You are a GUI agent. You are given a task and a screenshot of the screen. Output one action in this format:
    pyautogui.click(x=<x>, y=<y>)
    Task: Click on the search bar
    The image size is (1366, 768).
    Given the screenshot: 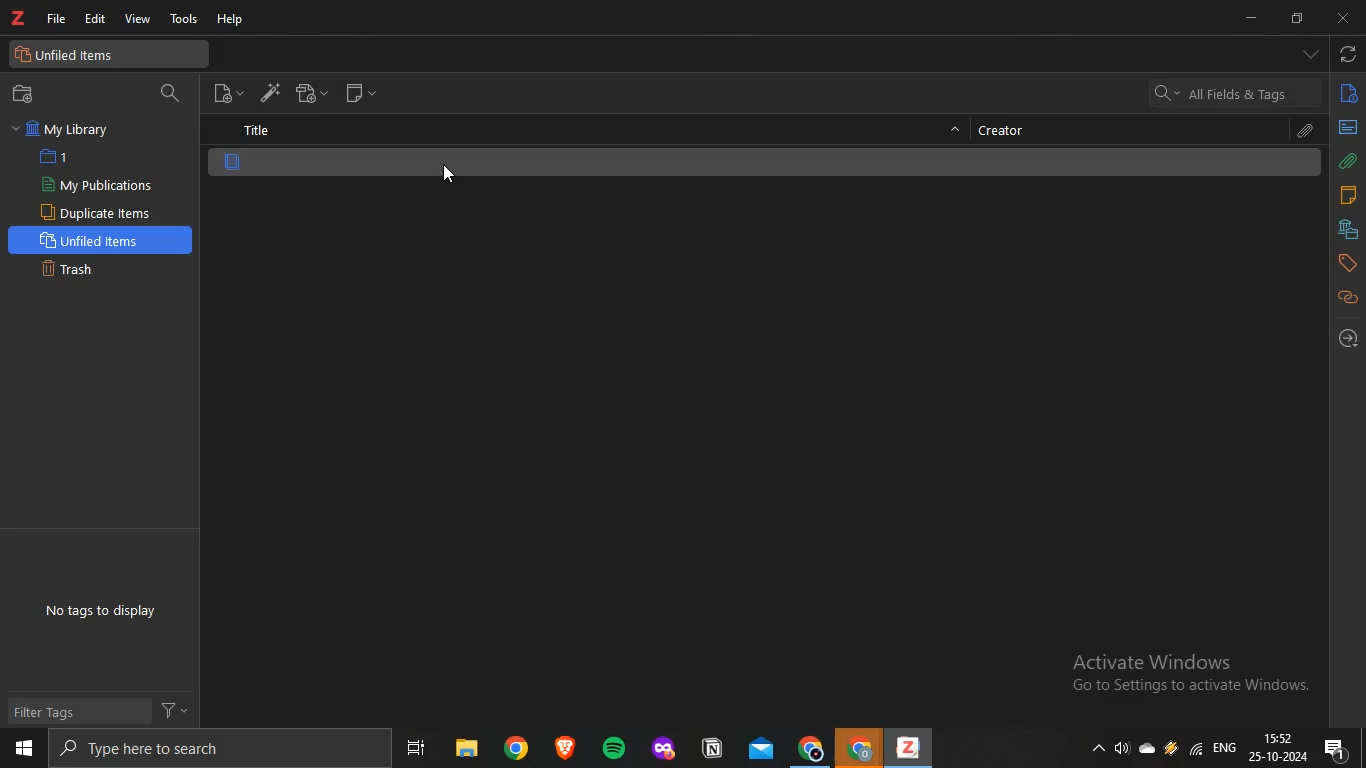 What is the action you would take?
    pyautogui.click(x=1234, y=92)
    